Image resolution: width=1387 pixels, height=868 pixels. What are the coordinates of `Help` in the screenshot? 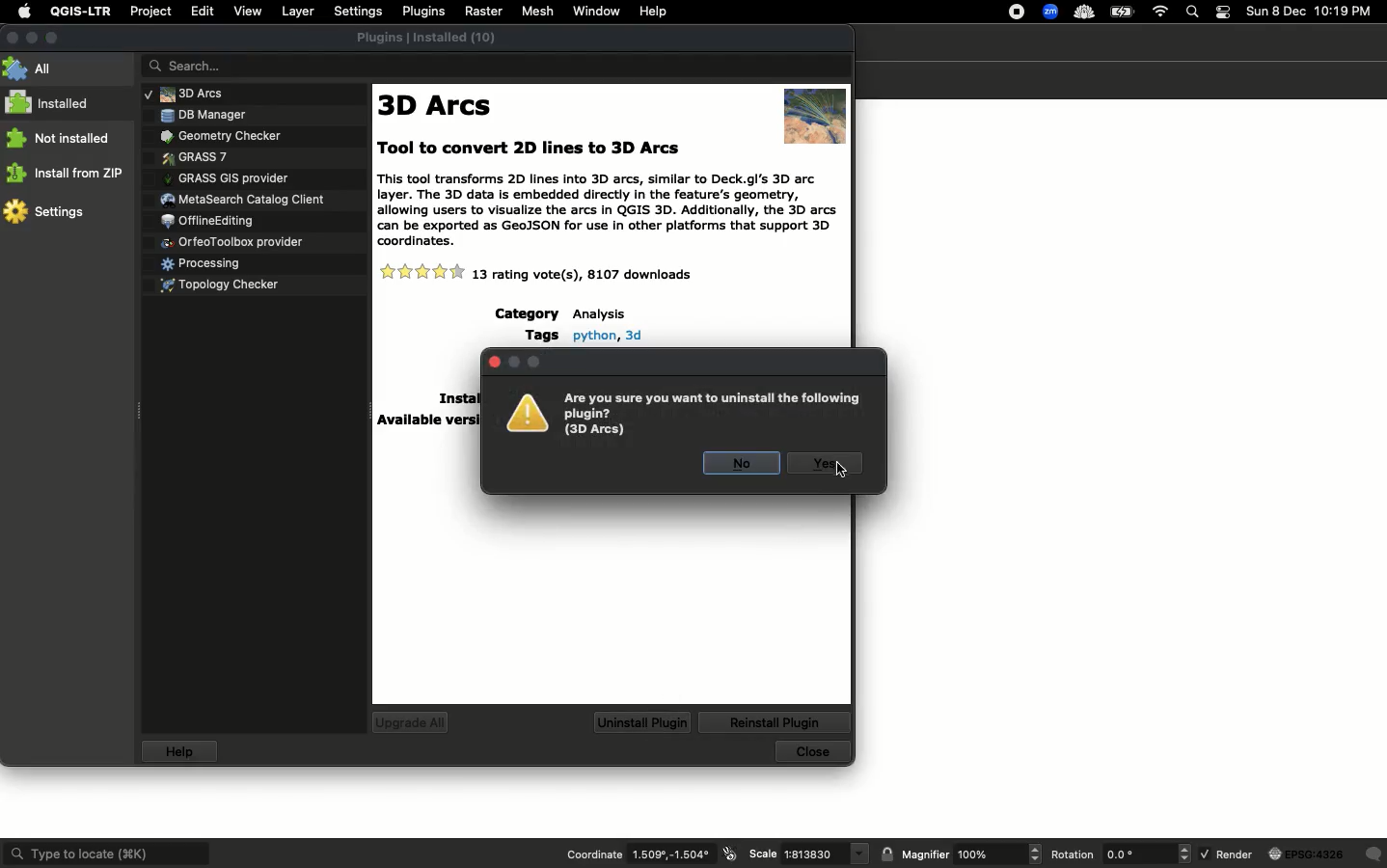 It's located at (655, 10).